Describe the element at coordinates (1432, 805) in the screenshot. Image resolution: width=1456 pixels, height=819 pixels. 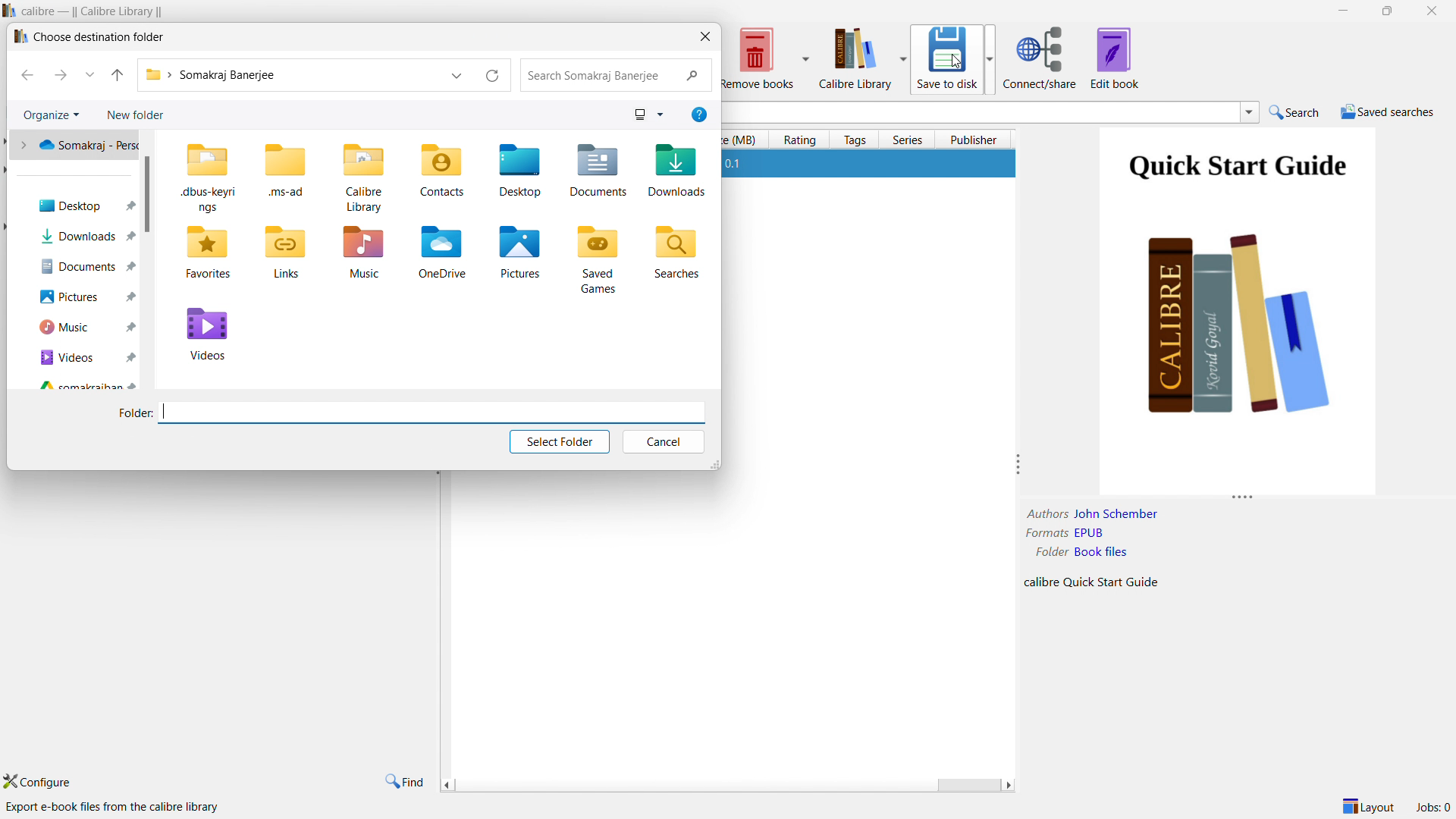
I see `Jobs: 0` at that location.